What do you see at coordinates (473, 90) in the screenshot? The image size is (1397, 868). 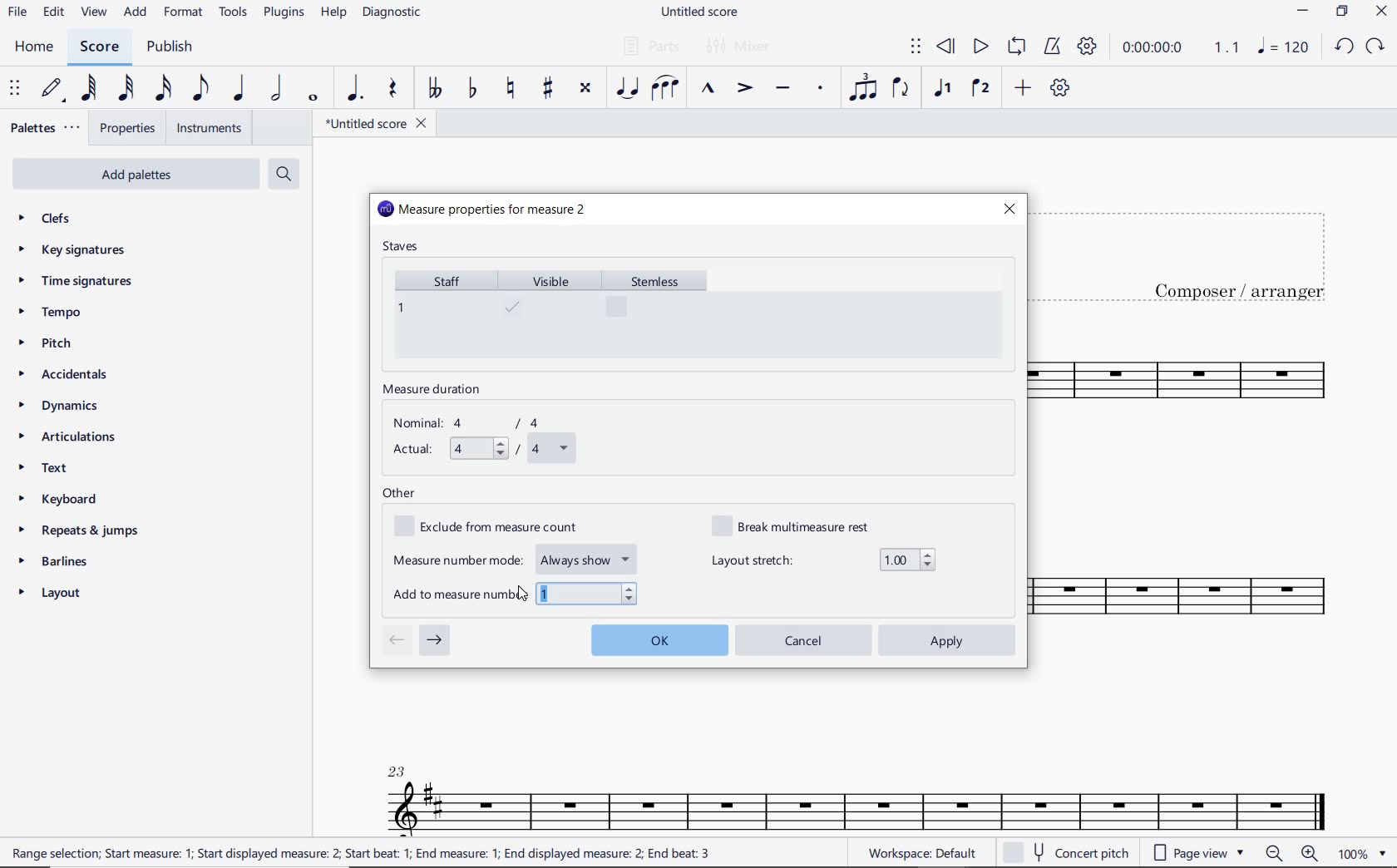 I see `TOGGLE FLAT` at bounding box center [473, 90].